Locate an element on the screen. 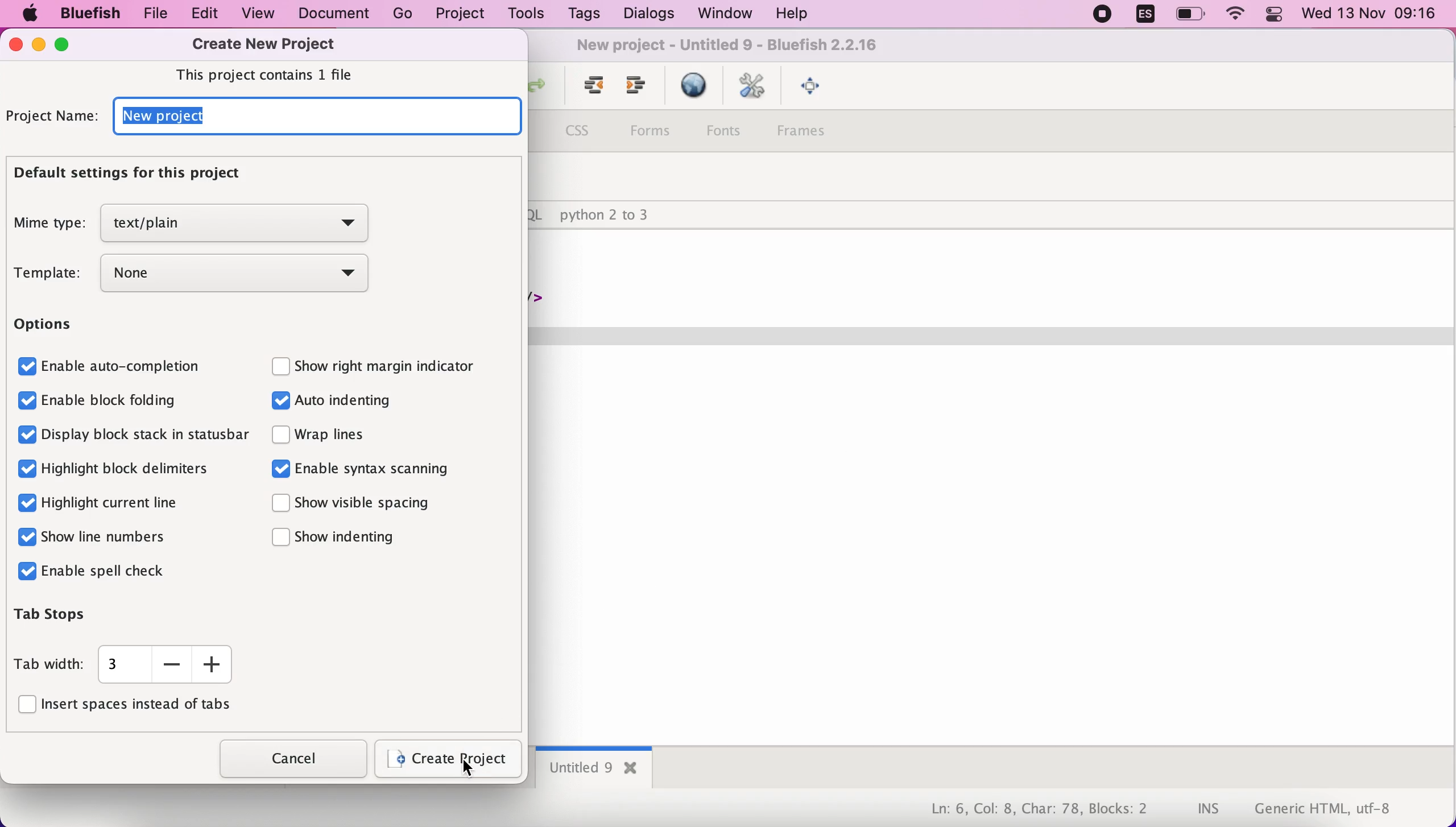  bluefish is located at coordinates (85, 13).